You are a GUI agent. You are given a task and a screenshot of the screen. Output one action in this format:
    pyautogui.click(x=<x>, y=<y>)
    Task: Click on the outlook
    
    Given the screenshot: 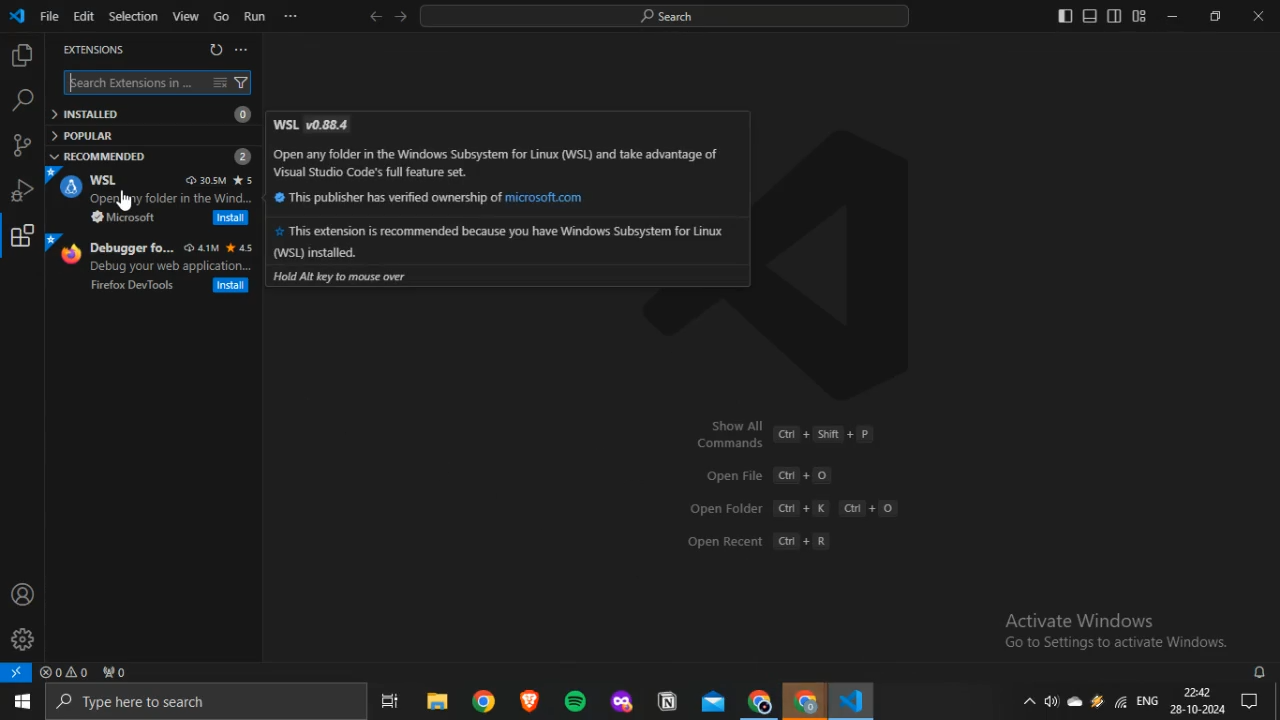 What is the action you would take?
    pyautogui.click(x=715, y=701)
    